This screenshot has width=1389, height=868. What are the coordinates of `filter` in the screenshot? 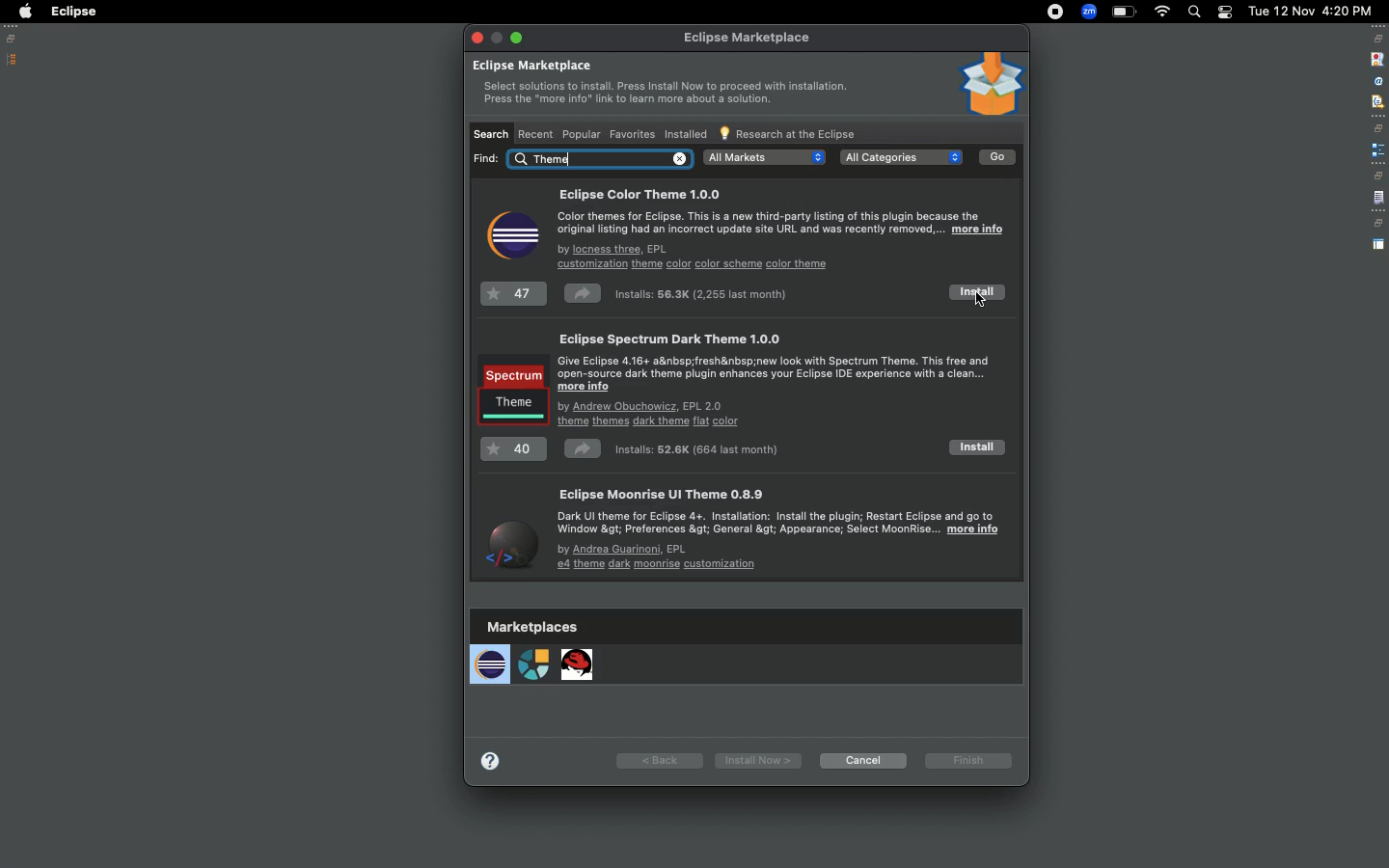 It's located at (1376, 101).